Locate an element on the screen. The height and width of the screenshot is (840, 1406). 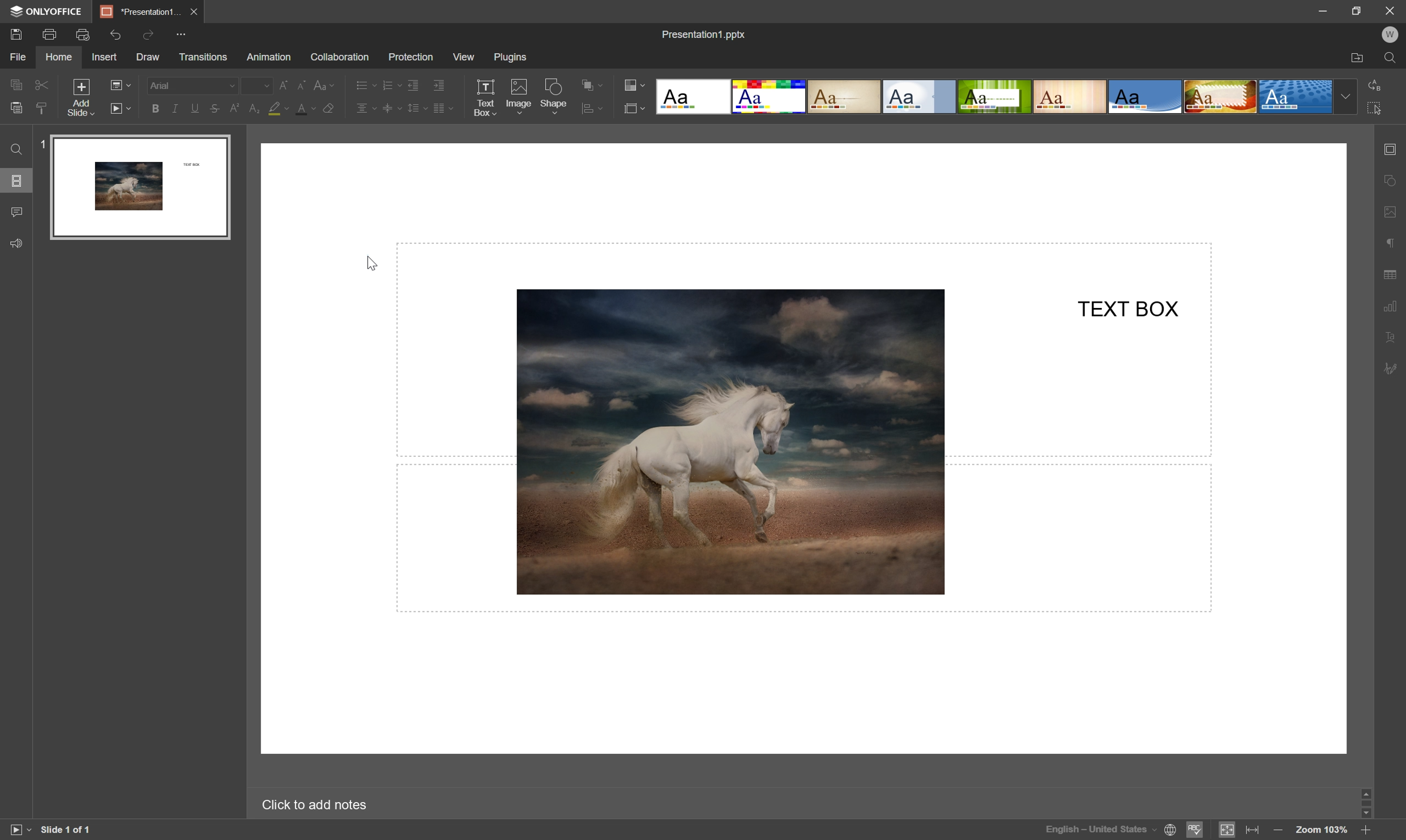
change slide layout is located at coordinates (119, 84).